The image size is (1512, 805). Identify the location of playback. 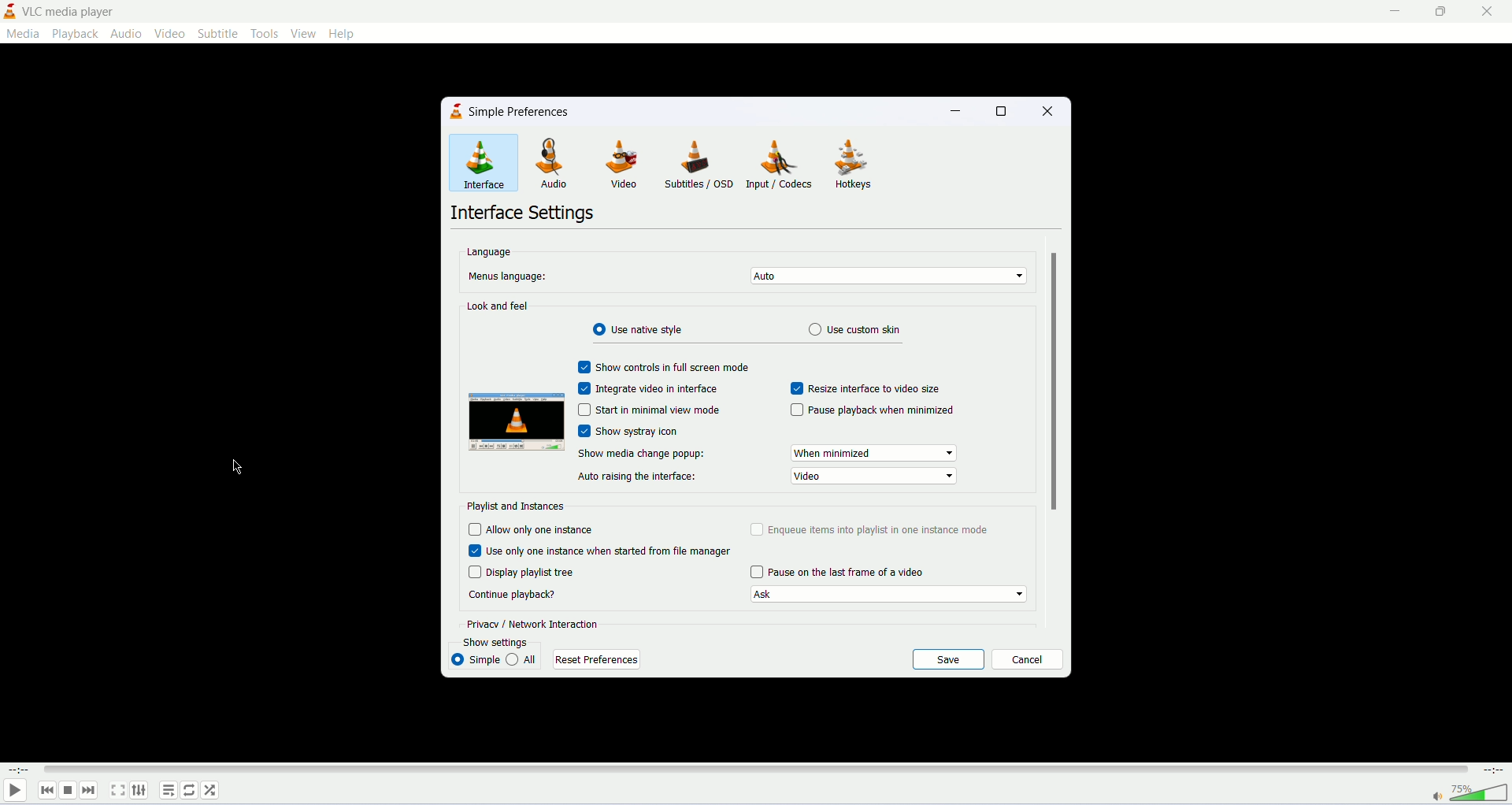
(76, 34).